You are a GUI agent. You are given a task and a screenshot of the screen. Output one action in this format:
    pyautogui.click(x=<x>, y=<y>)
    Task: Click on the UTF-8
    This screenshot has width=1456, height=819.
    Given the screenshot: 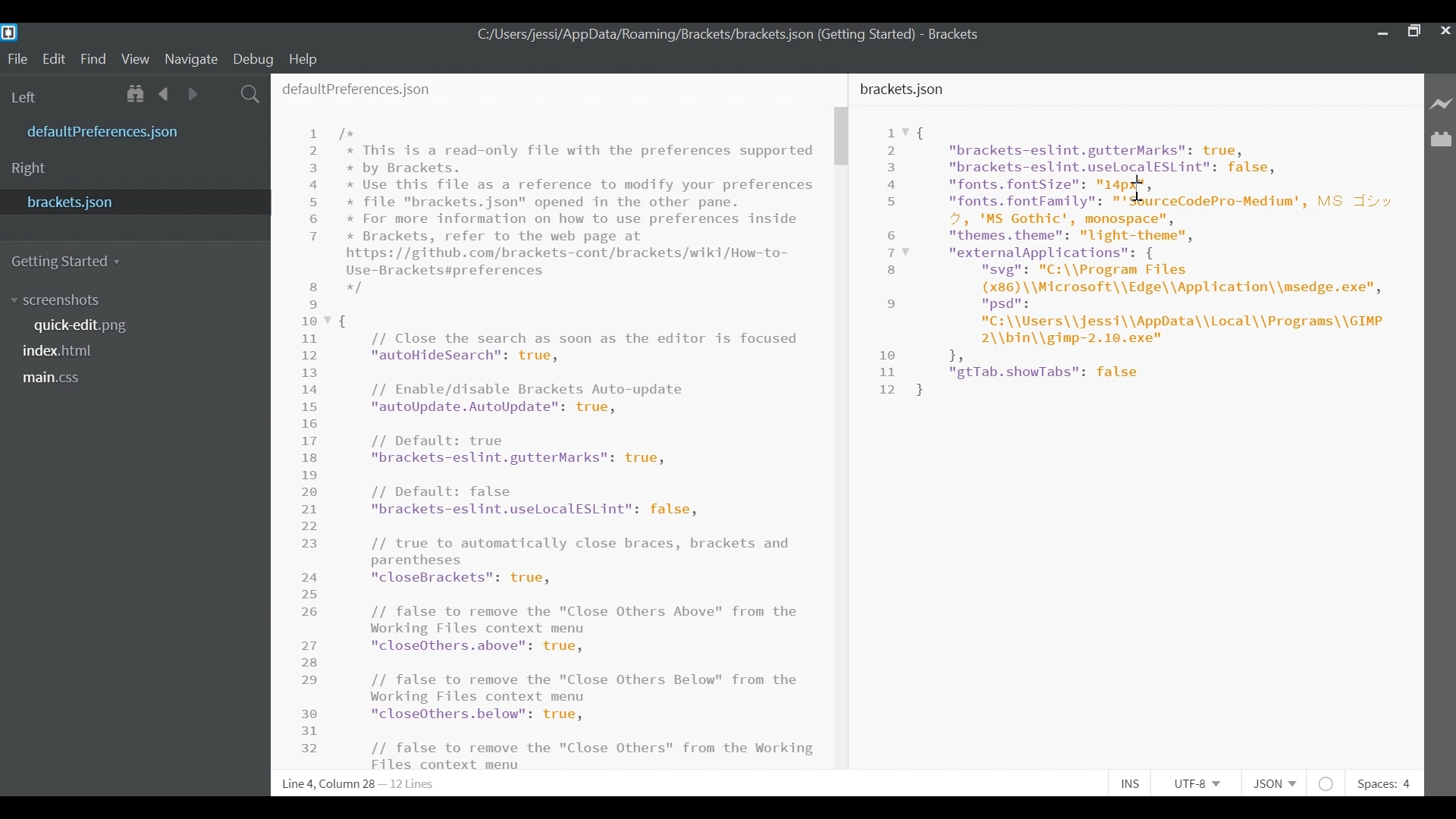 What is the action you would take?
    pyautogui.click(x=1196, y=781)
    